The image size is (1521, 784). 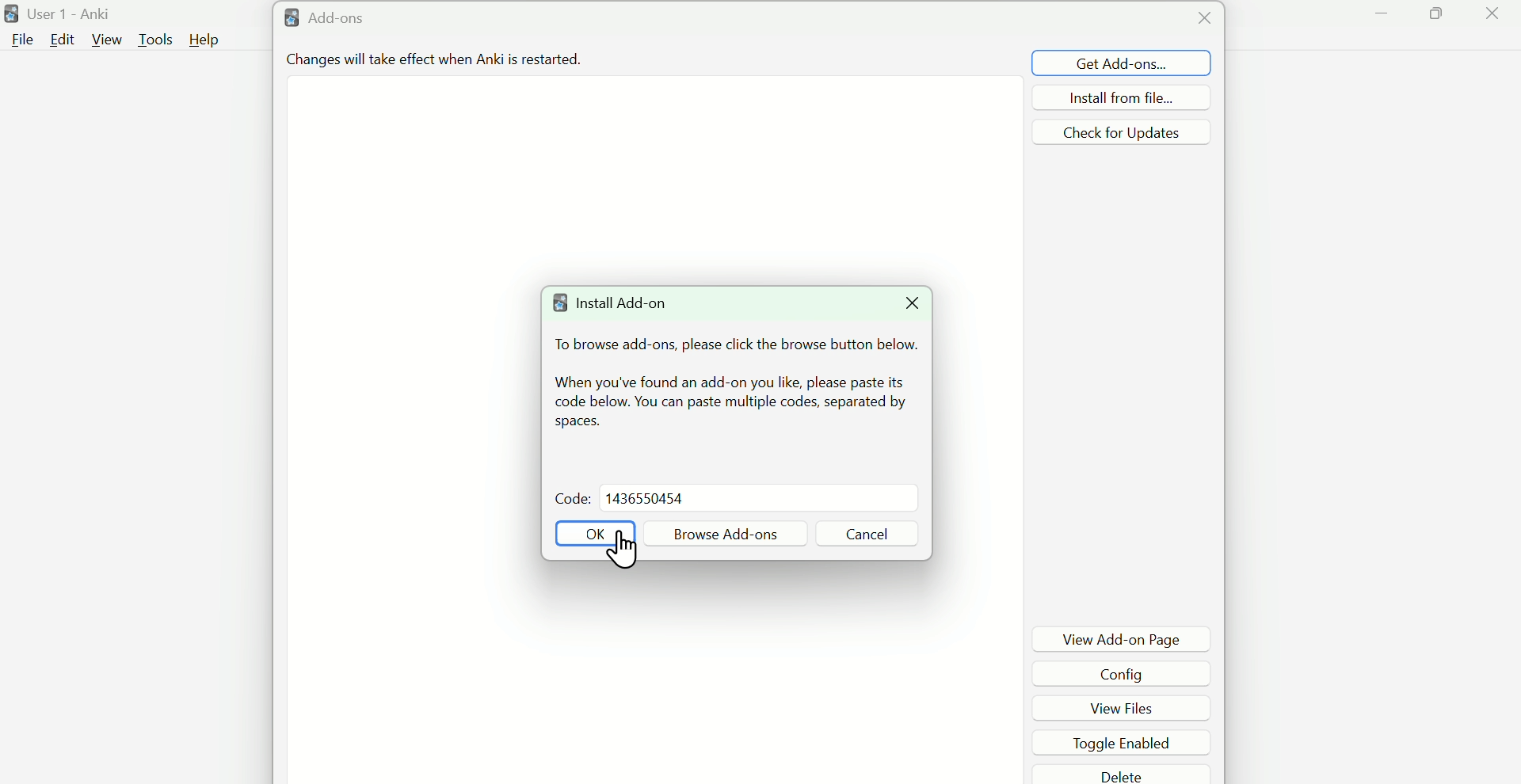 I want to click on close , so click(x=1202, y=18).